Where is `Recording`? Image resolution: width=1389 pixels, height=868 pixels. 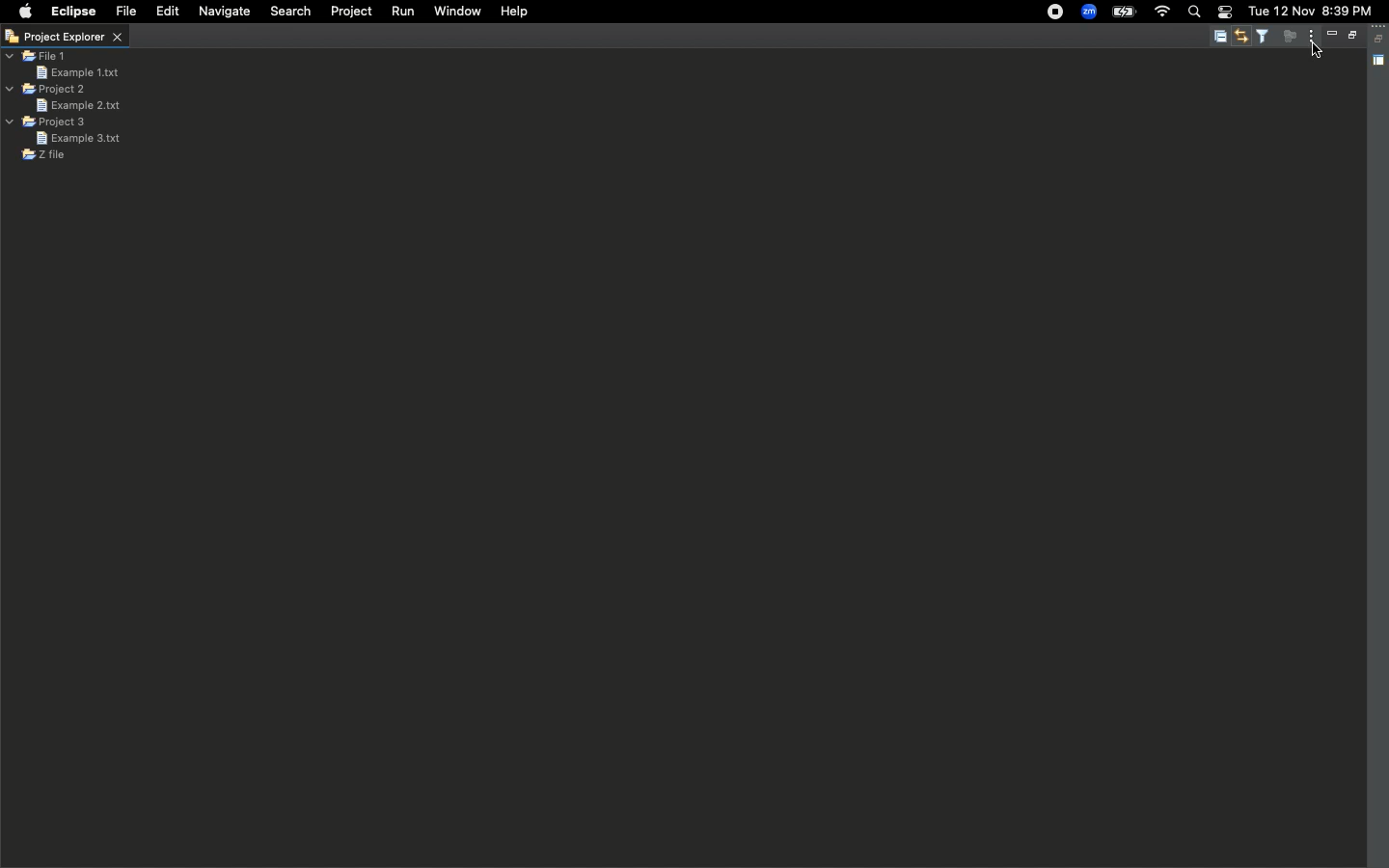
Recording is located at coordinates (1056, 13).